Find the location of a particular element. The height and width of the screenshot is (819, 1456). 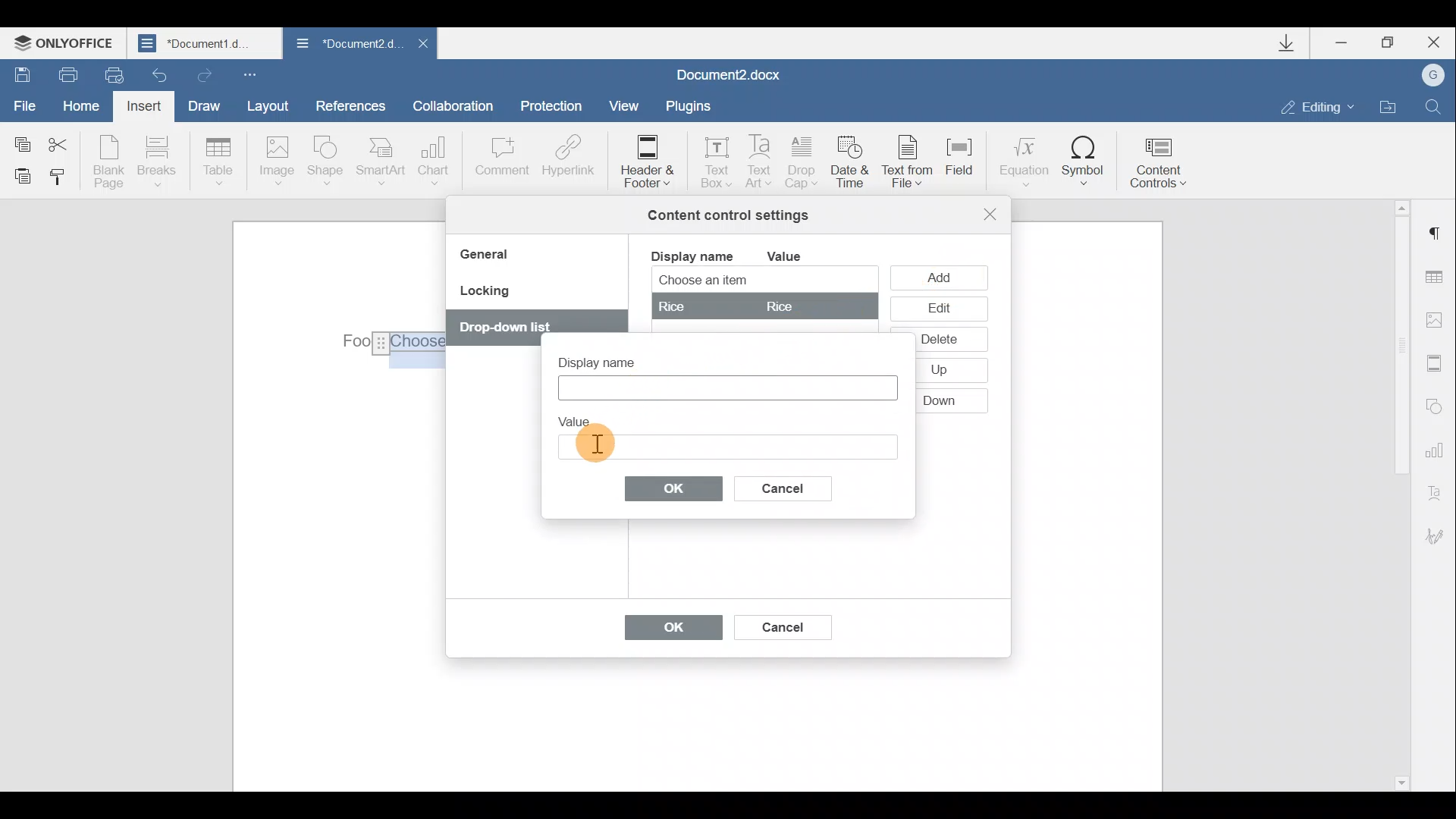

Header & footer is located at coordinates (646, 160).